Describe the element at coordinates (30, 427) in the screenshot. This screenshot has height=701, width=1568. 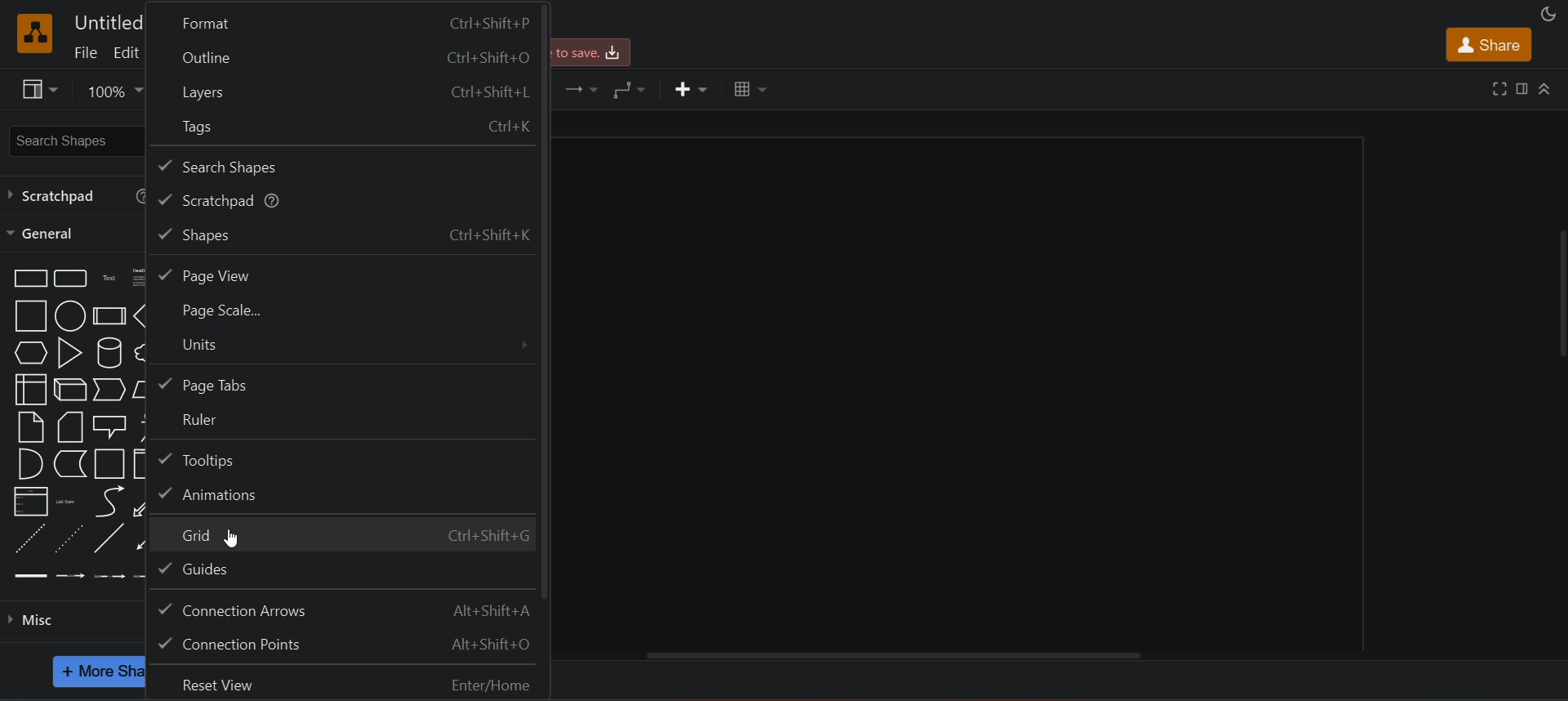
I see `note` at that location.